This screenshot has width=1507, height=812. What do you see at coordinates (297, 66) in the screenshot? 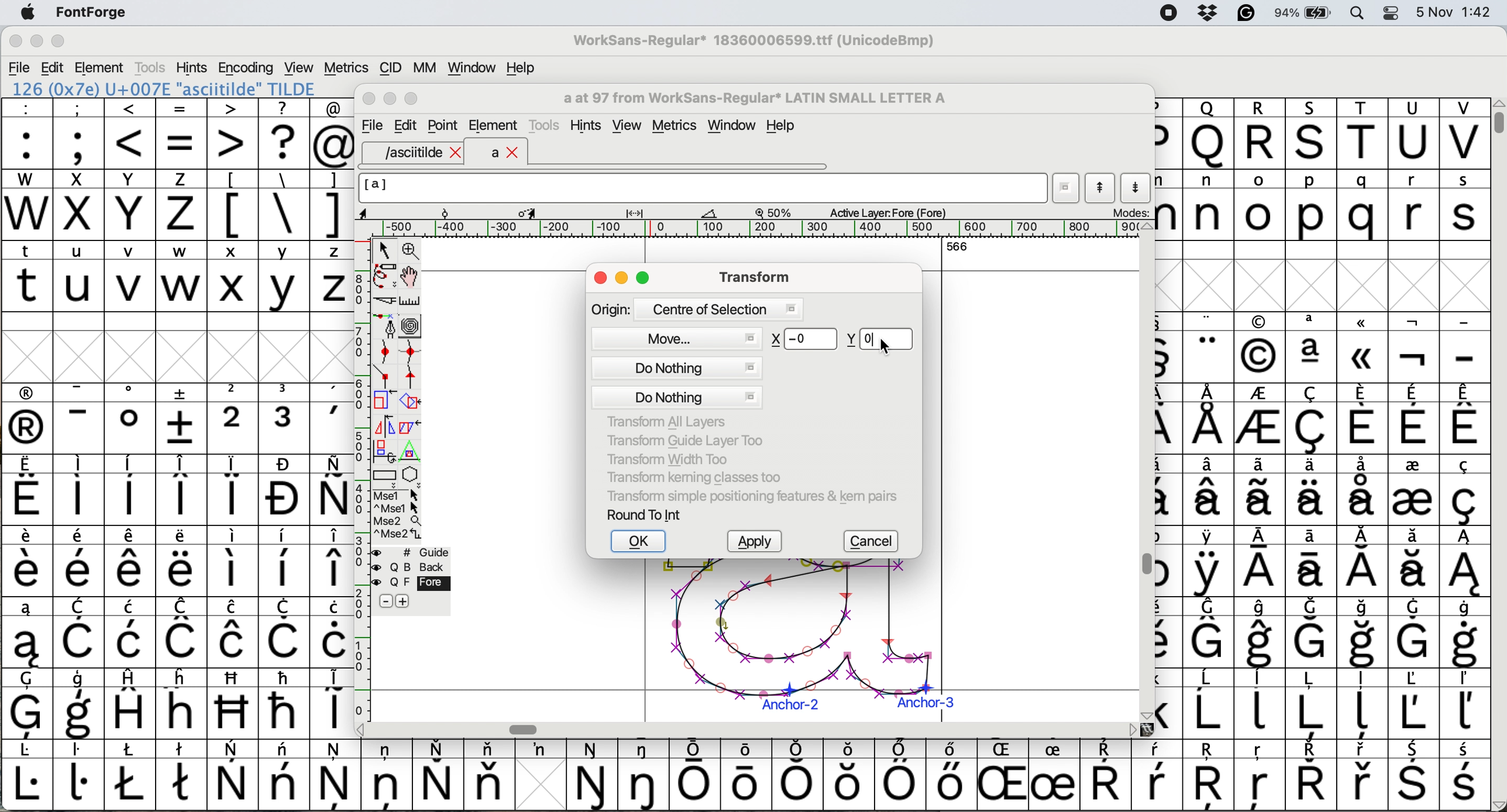
I see `view` at bounding box center [297, 66].